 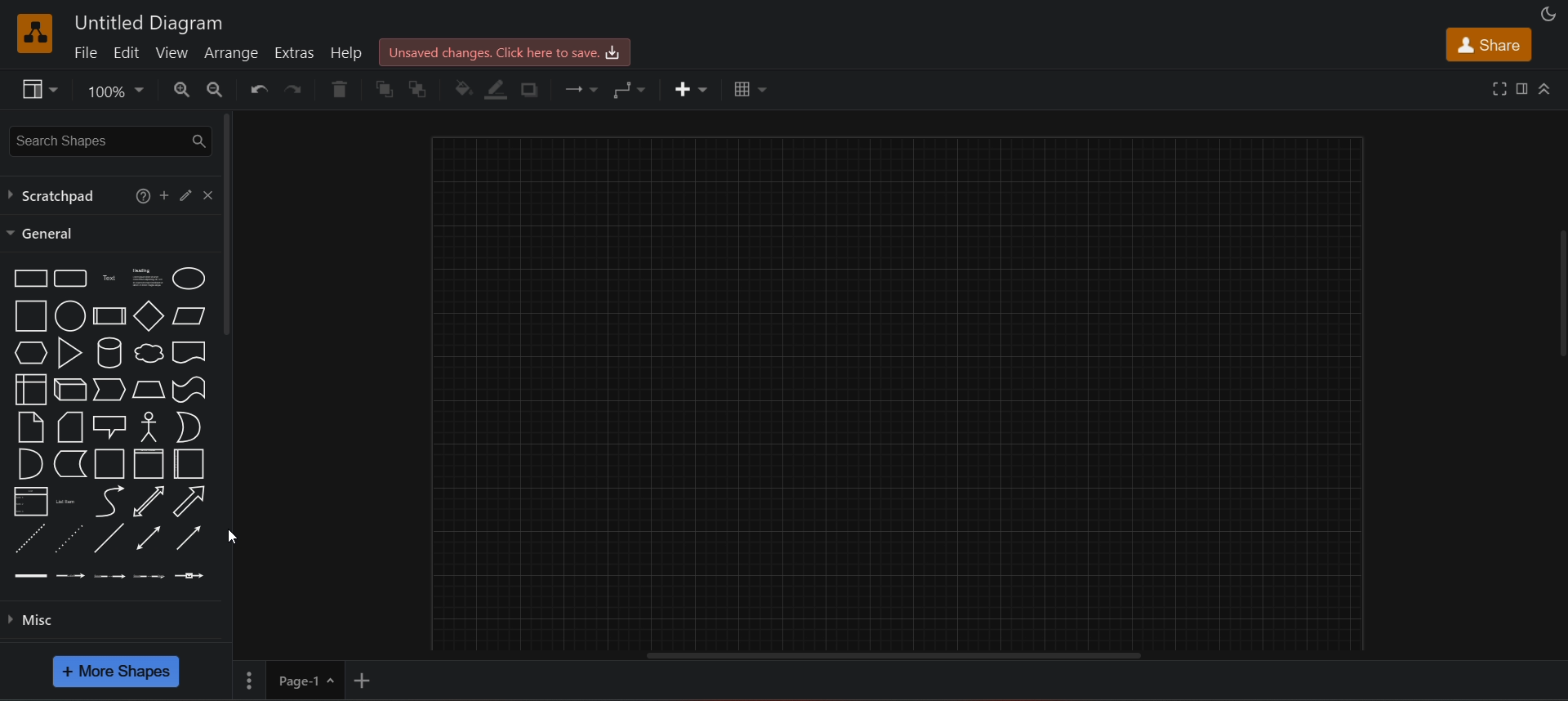 What do you see at coordinates (216, 89) in the screenshot?
I see `zoom out` at bounding box center [216, 89].